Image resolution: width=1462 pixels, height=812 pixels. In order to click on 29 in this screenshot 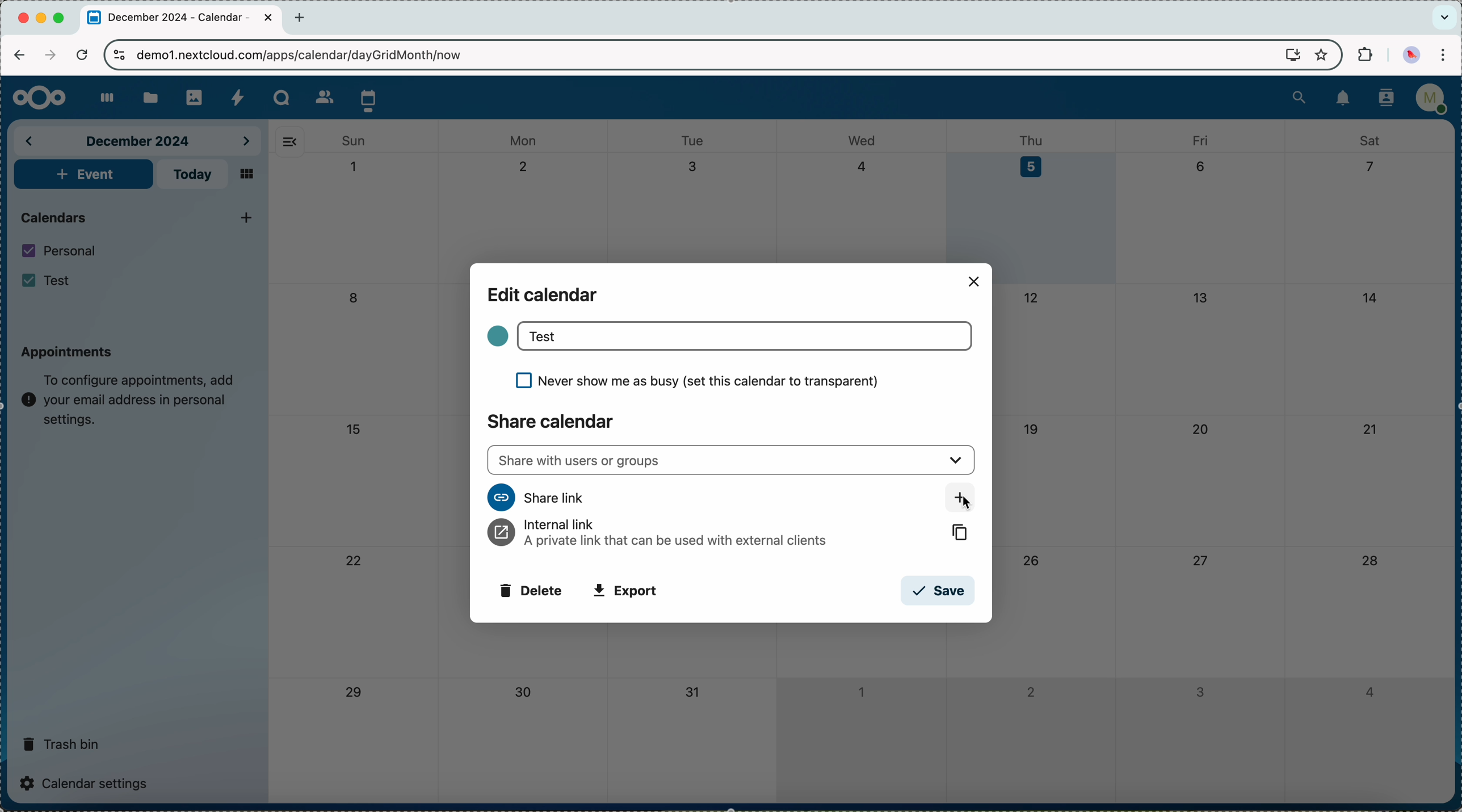, I will do `click(352, 693)`.